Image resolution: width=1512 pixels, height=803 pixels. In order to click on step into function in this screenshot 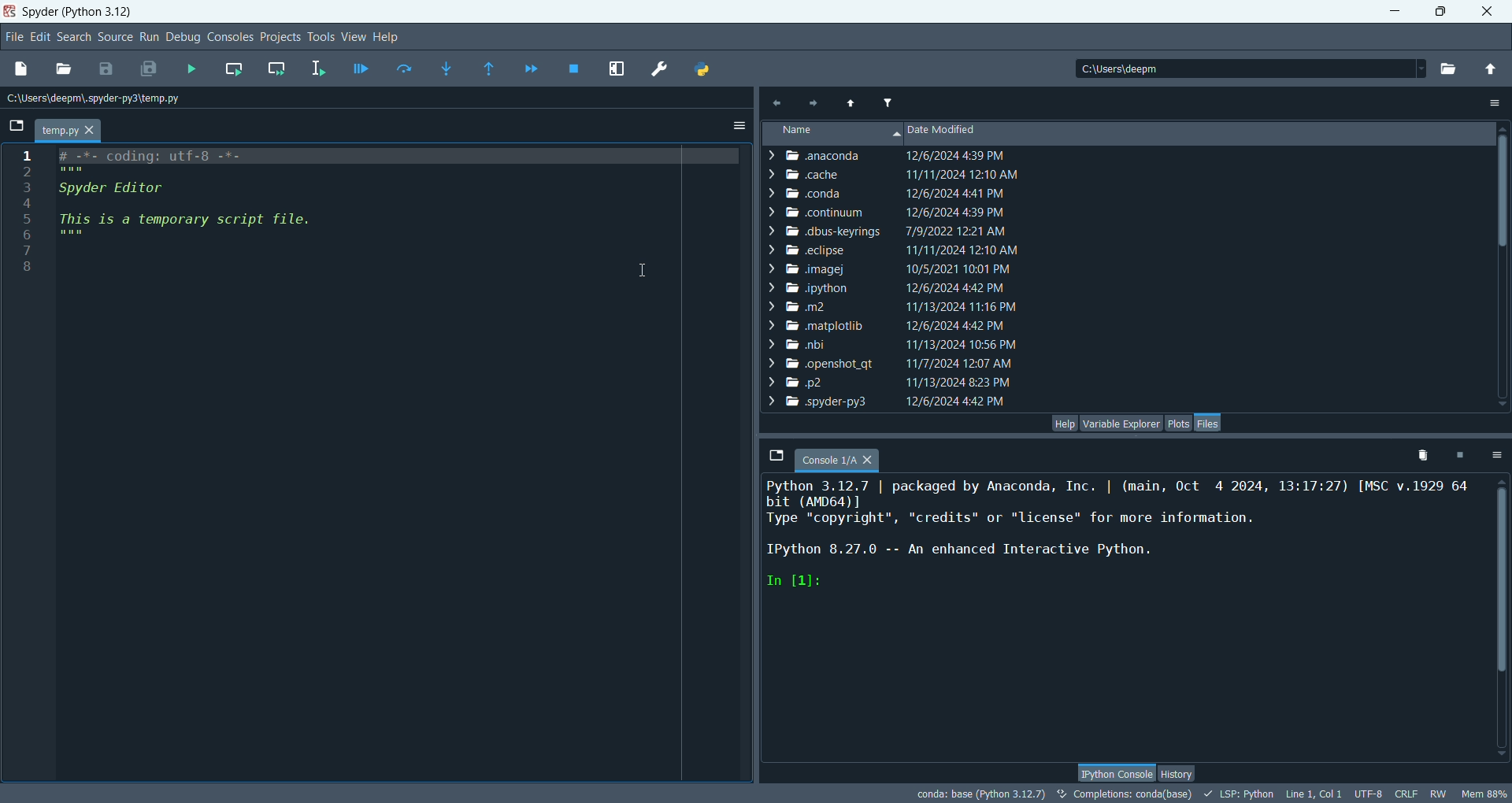, I will do `click(447, 68)`.